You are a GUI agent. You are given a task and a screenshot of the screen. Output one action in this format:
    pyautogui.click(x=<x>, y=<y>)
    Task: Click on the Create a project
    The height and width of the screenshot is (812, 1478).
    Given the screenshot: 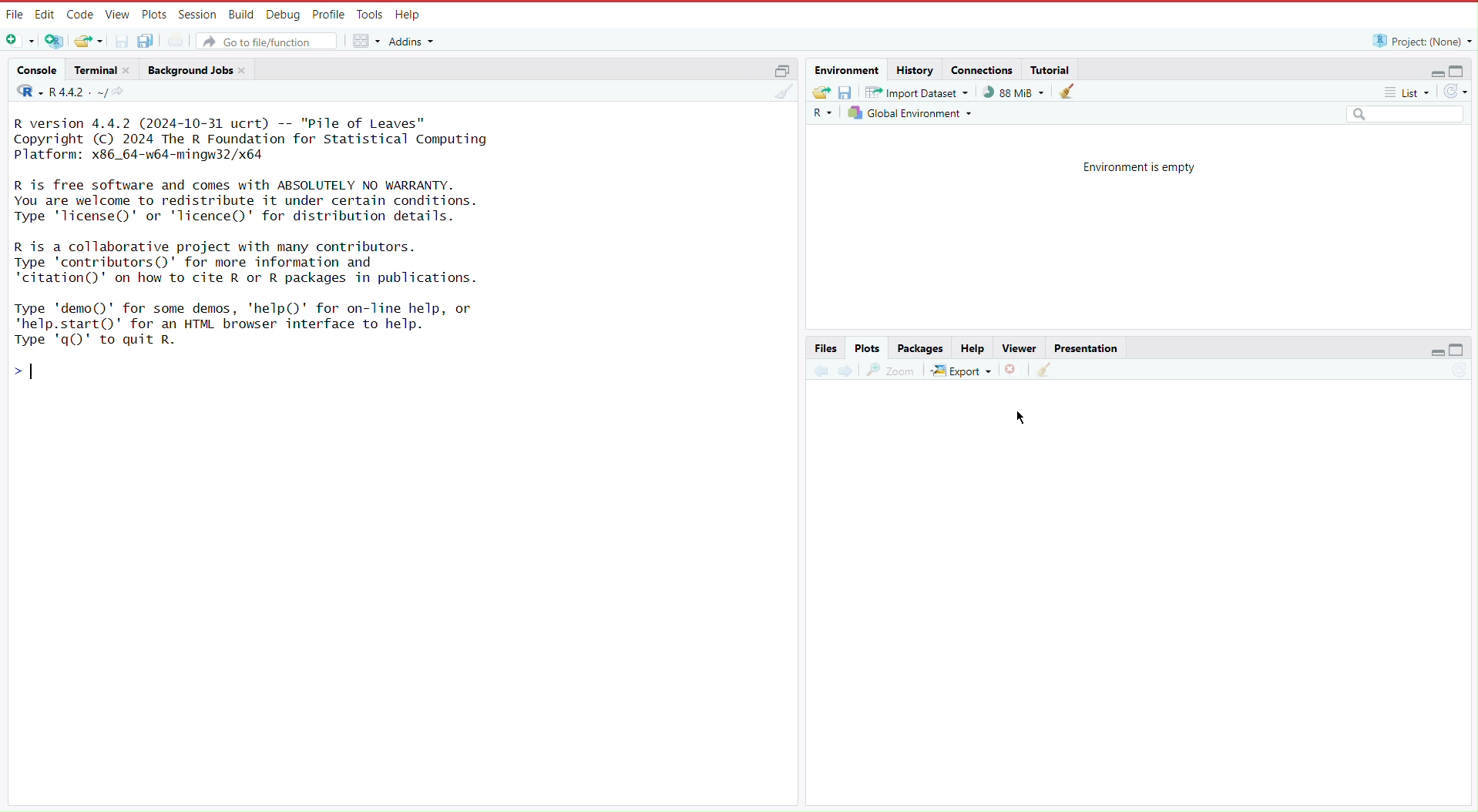 What is the action you would take?
    pyautogui.click(x=56, y=40)
    